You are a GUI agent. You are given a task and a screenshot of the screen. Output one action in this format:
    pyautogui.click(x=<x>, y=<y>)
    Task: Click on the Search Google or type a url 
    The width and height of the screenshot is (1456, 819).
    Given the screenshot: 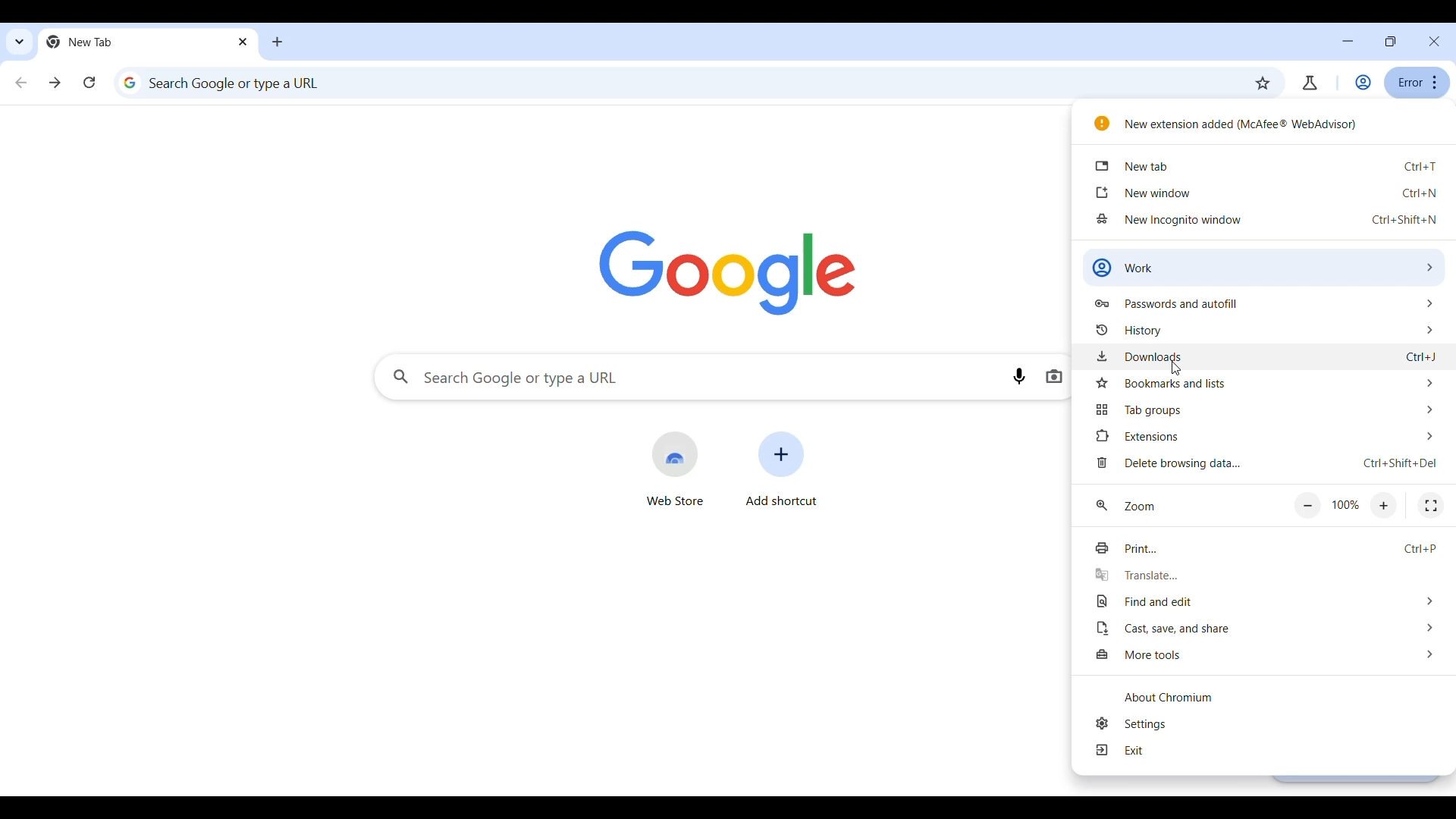 What is the action you would take?
    pyautogui.click(x=677, y=79)
    